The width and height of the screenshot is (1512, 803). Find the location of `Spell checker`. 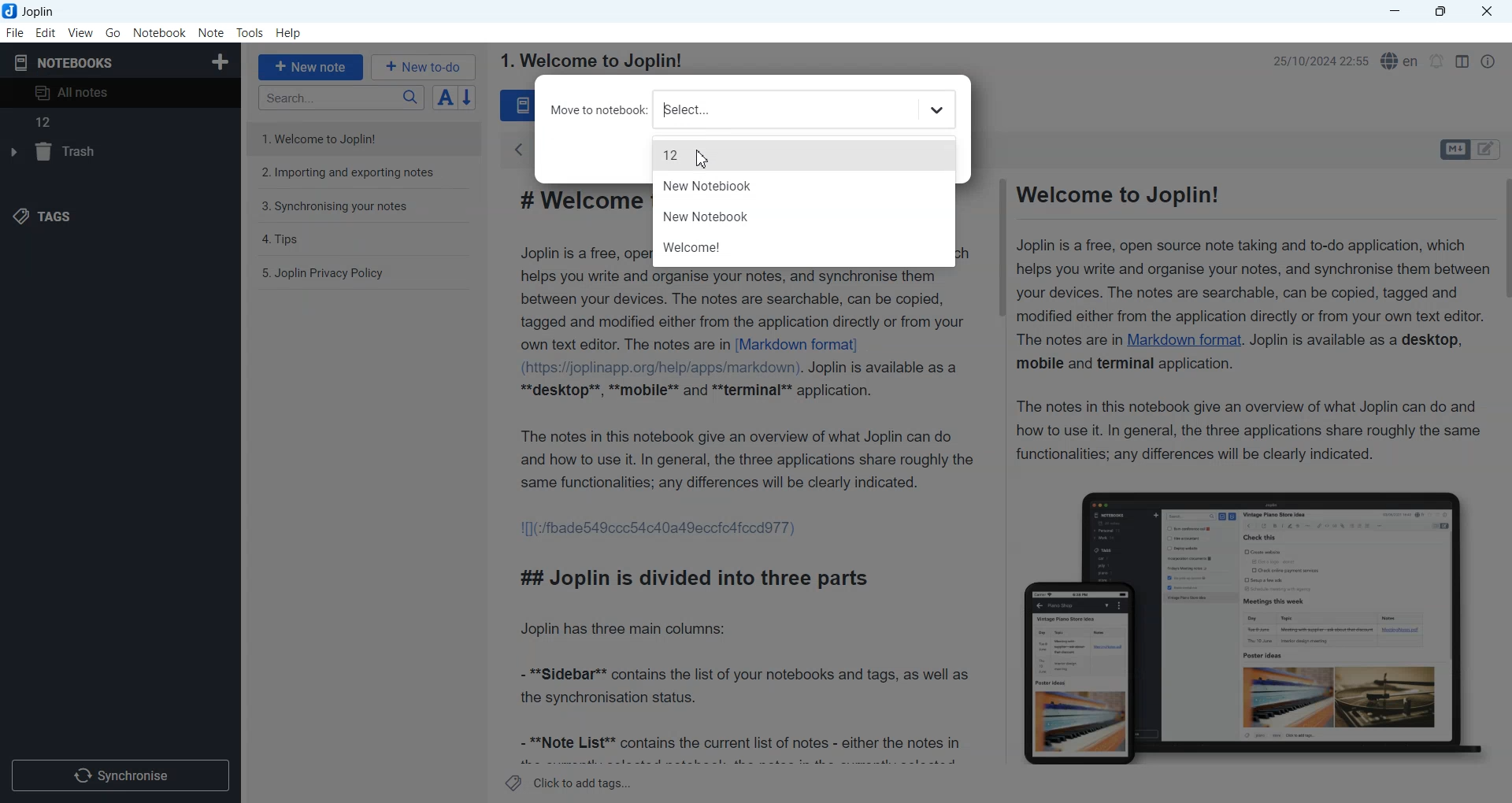

Spell checker is located at coordinates (1401, 61).